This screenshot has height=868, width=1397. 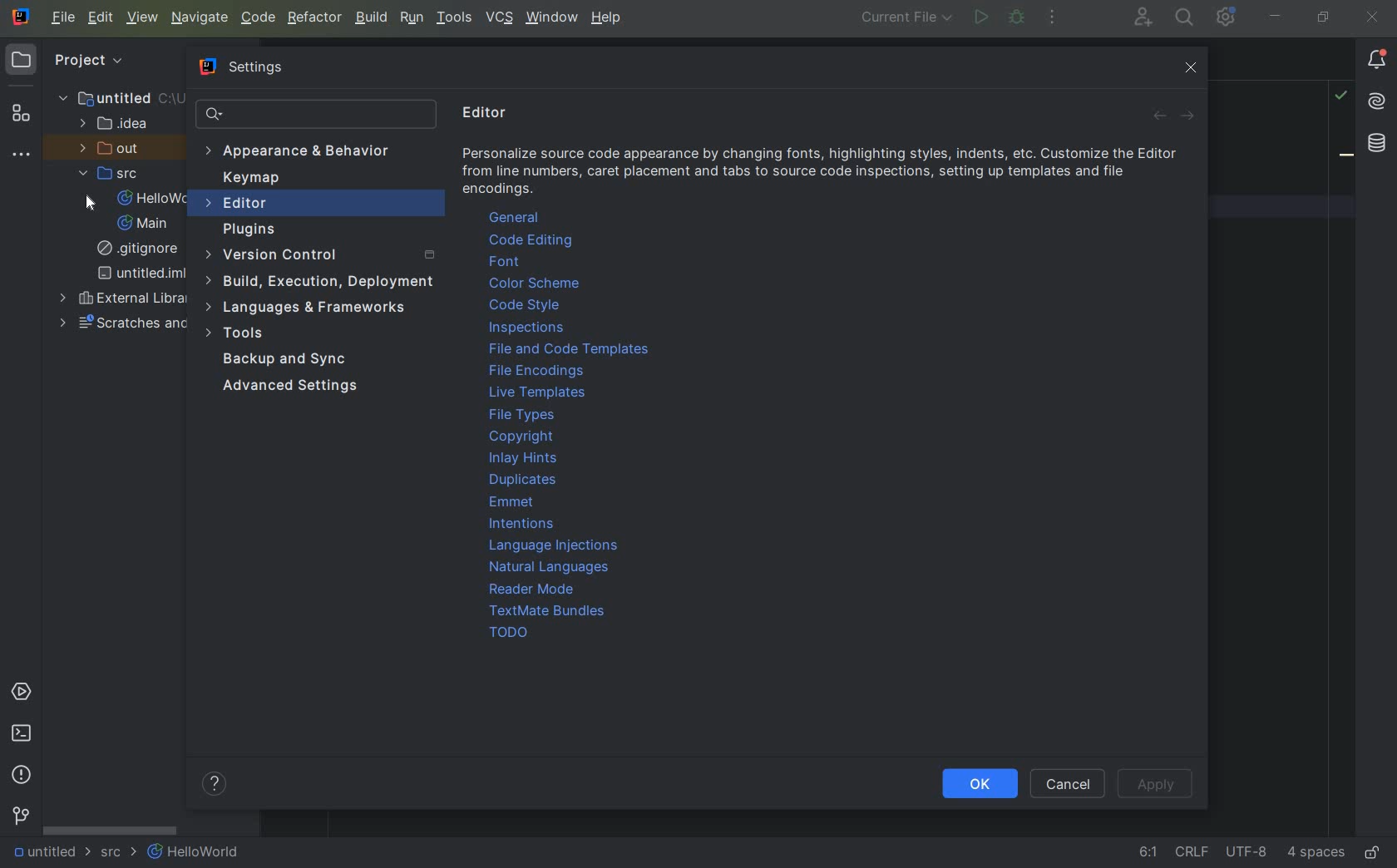 I want to click on bookmark, so click(x=1346, y=158).